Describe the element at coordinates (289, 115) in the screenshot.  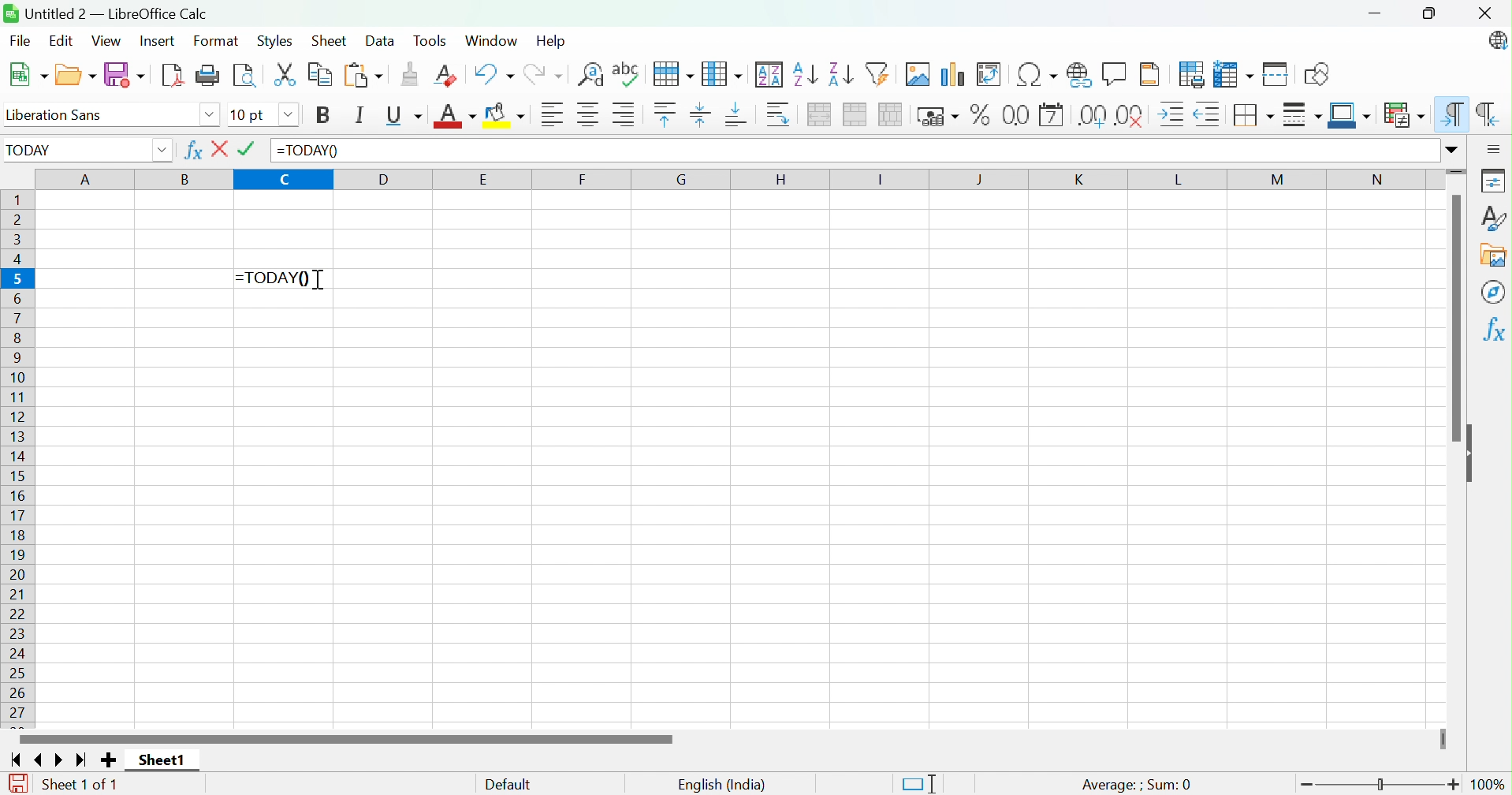
I see `Drop down` at that location.